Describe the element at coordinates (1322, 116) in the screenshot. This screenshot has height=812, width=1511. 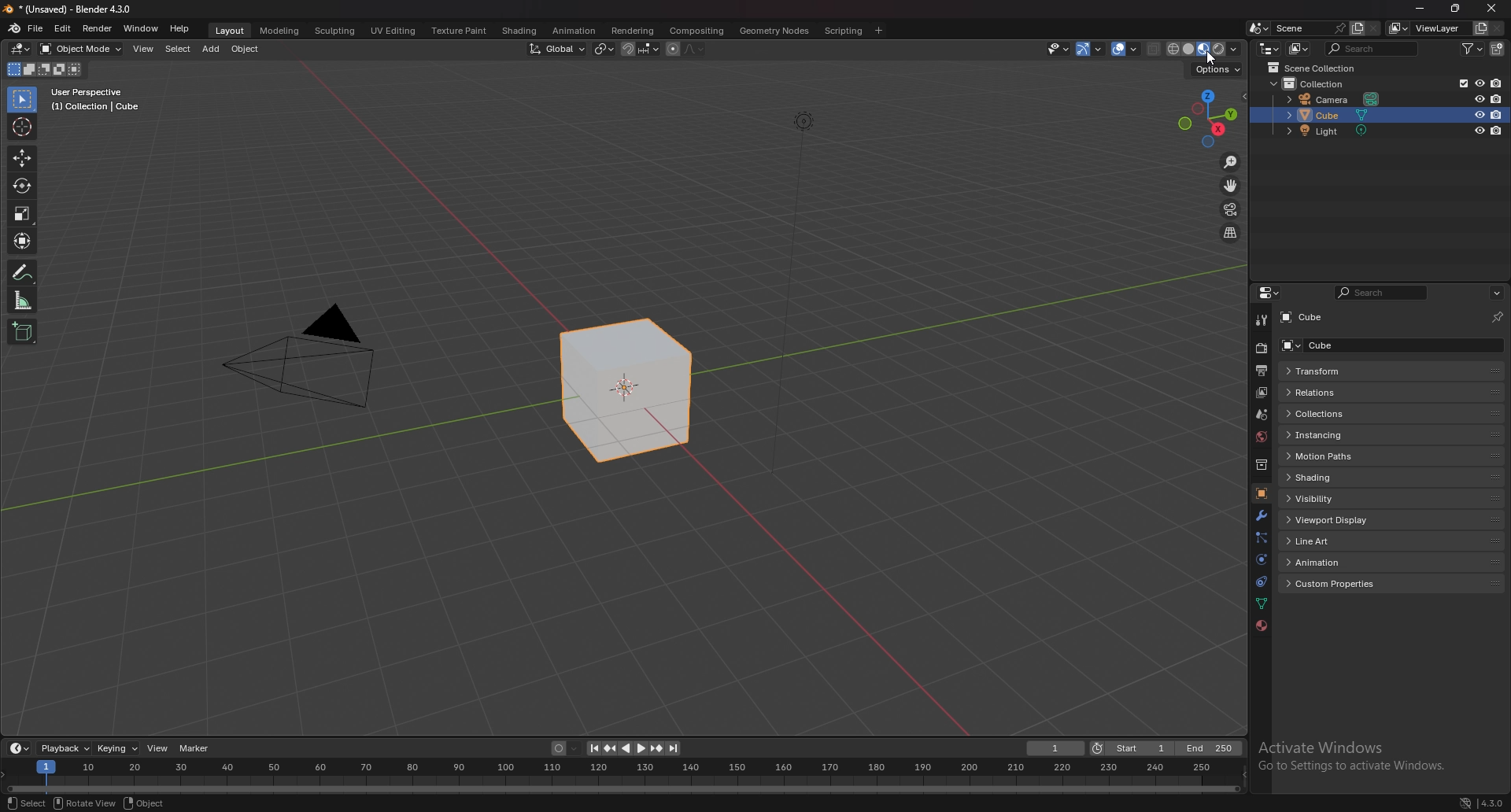
I see `cube` at that location.